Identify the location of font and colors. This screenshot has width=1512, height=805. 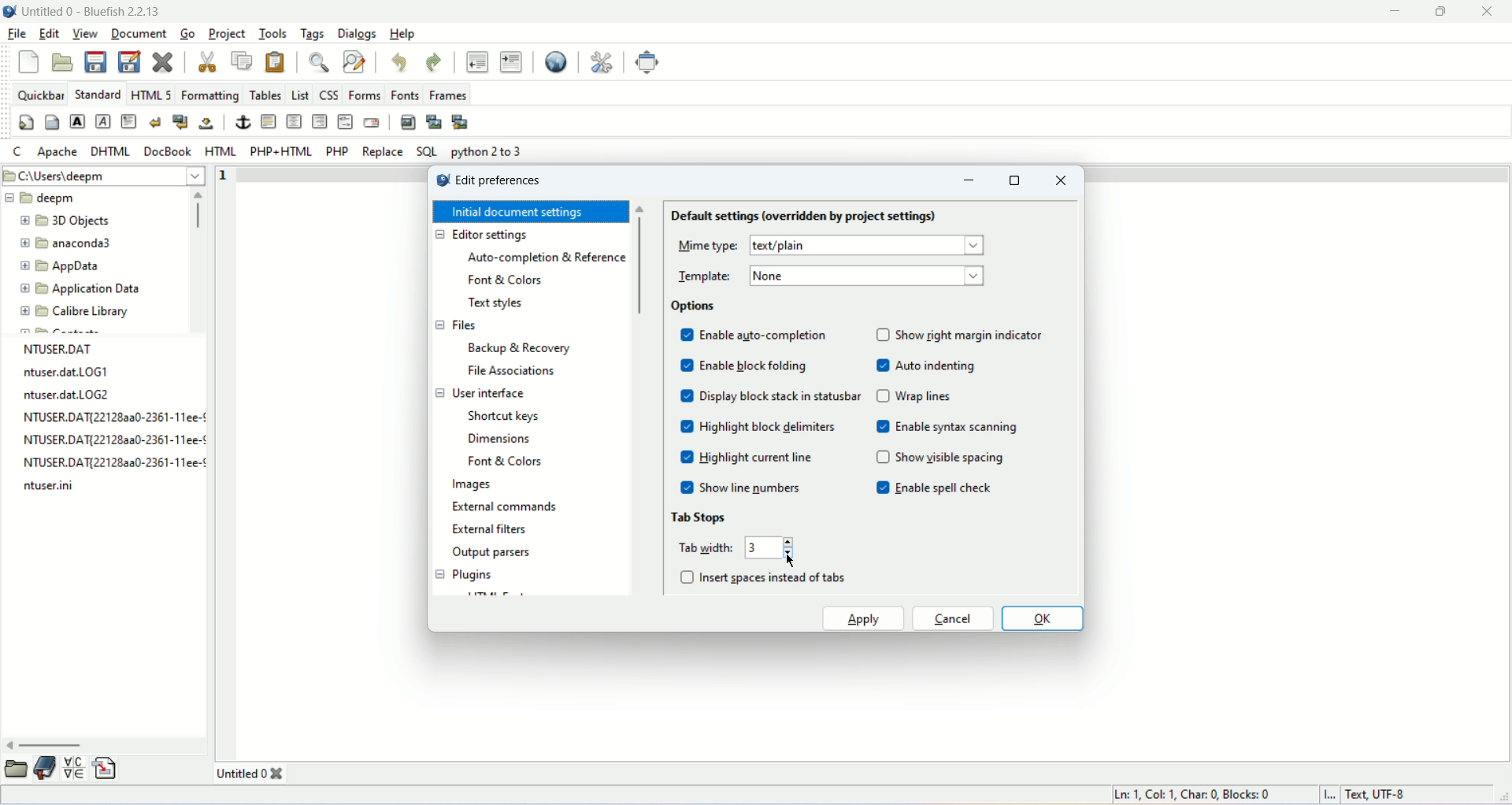
(506, 463).